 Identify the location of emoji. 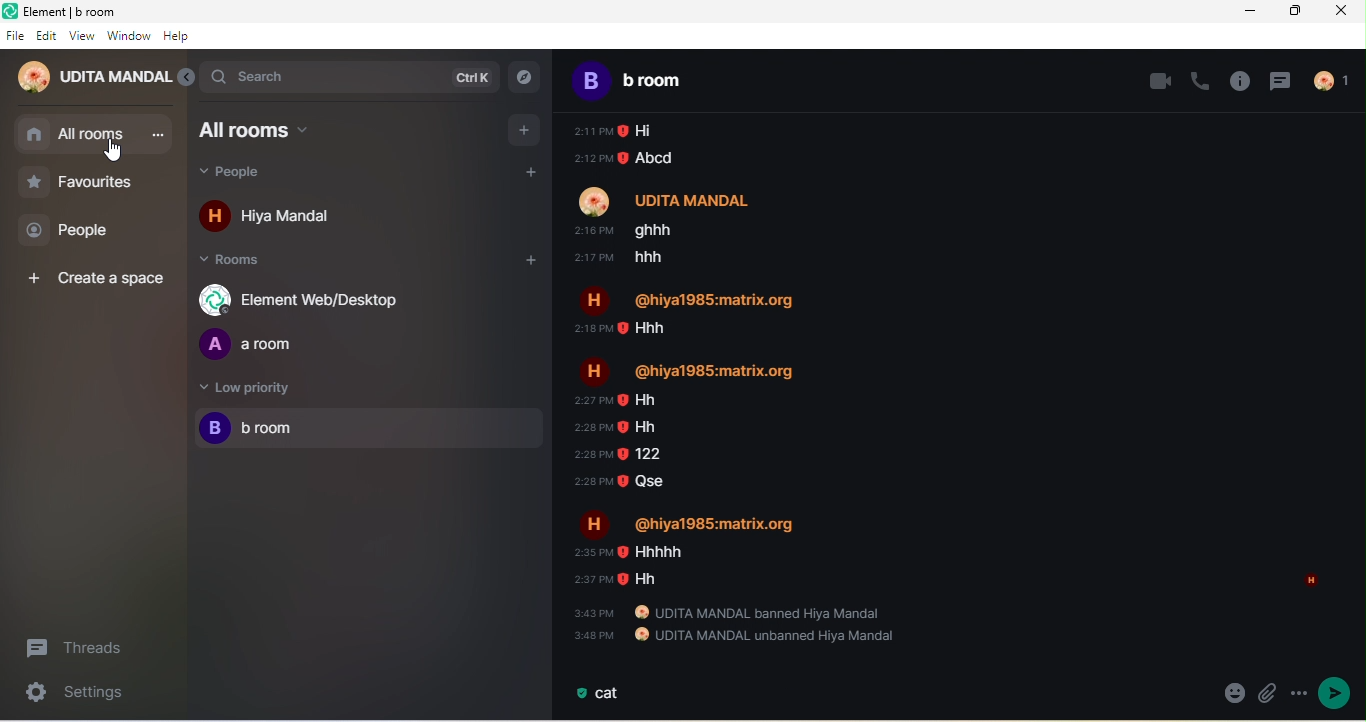
(1267, 695).